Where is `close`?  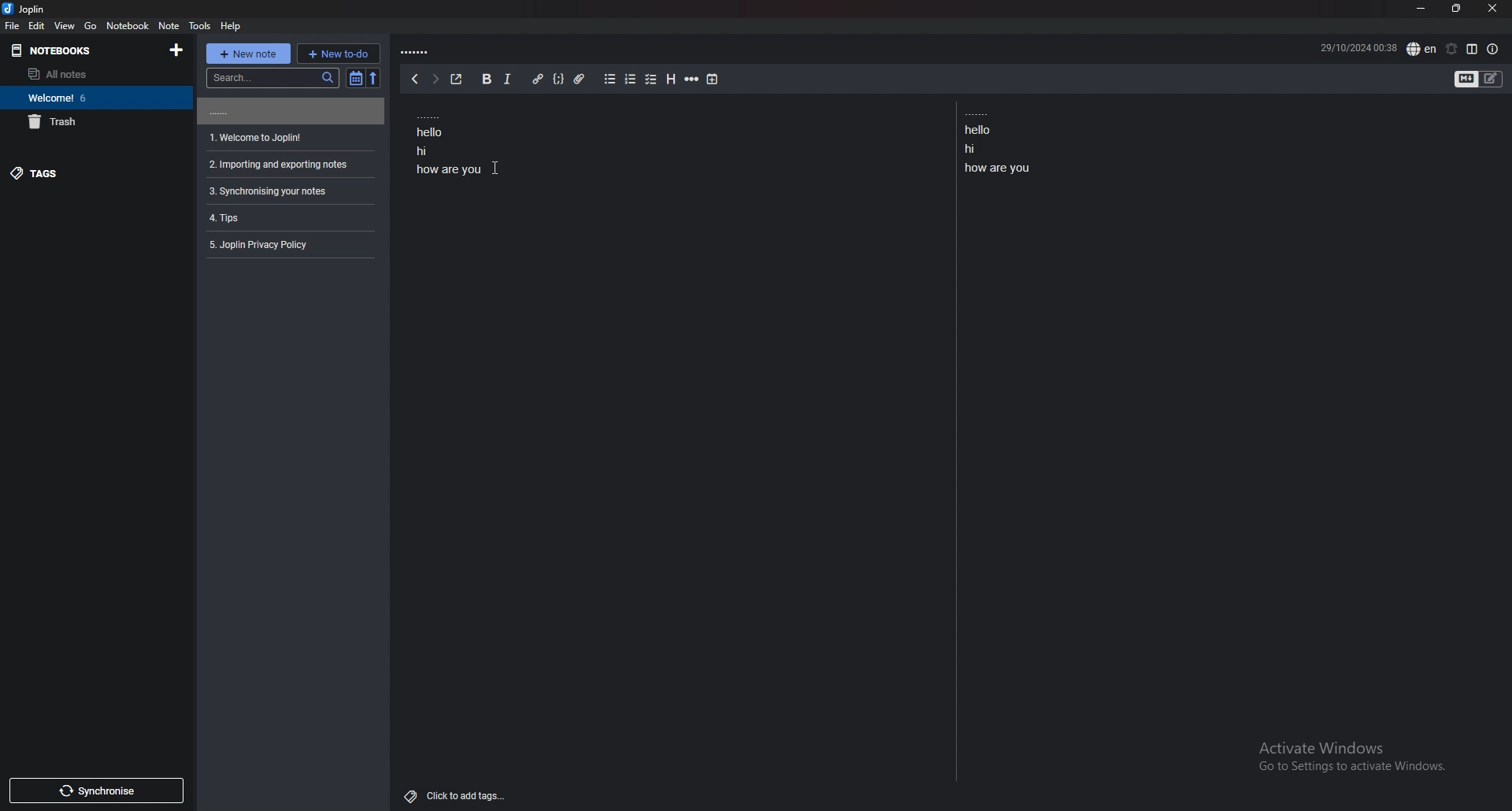 close is located at coordinates (1493, 8).